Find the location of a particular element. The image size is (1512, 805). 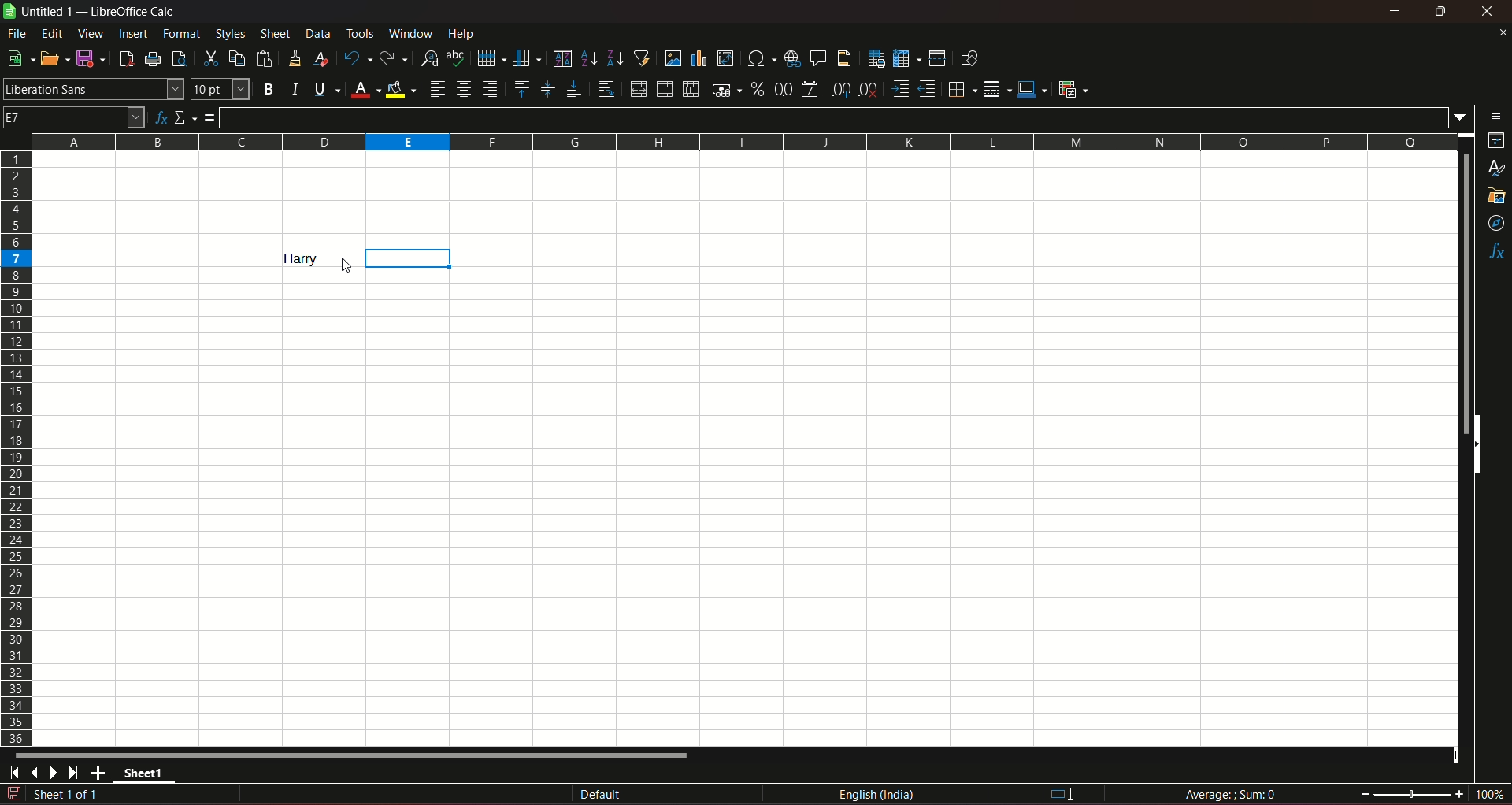

decrease indent is located at coordinates (927, 89).